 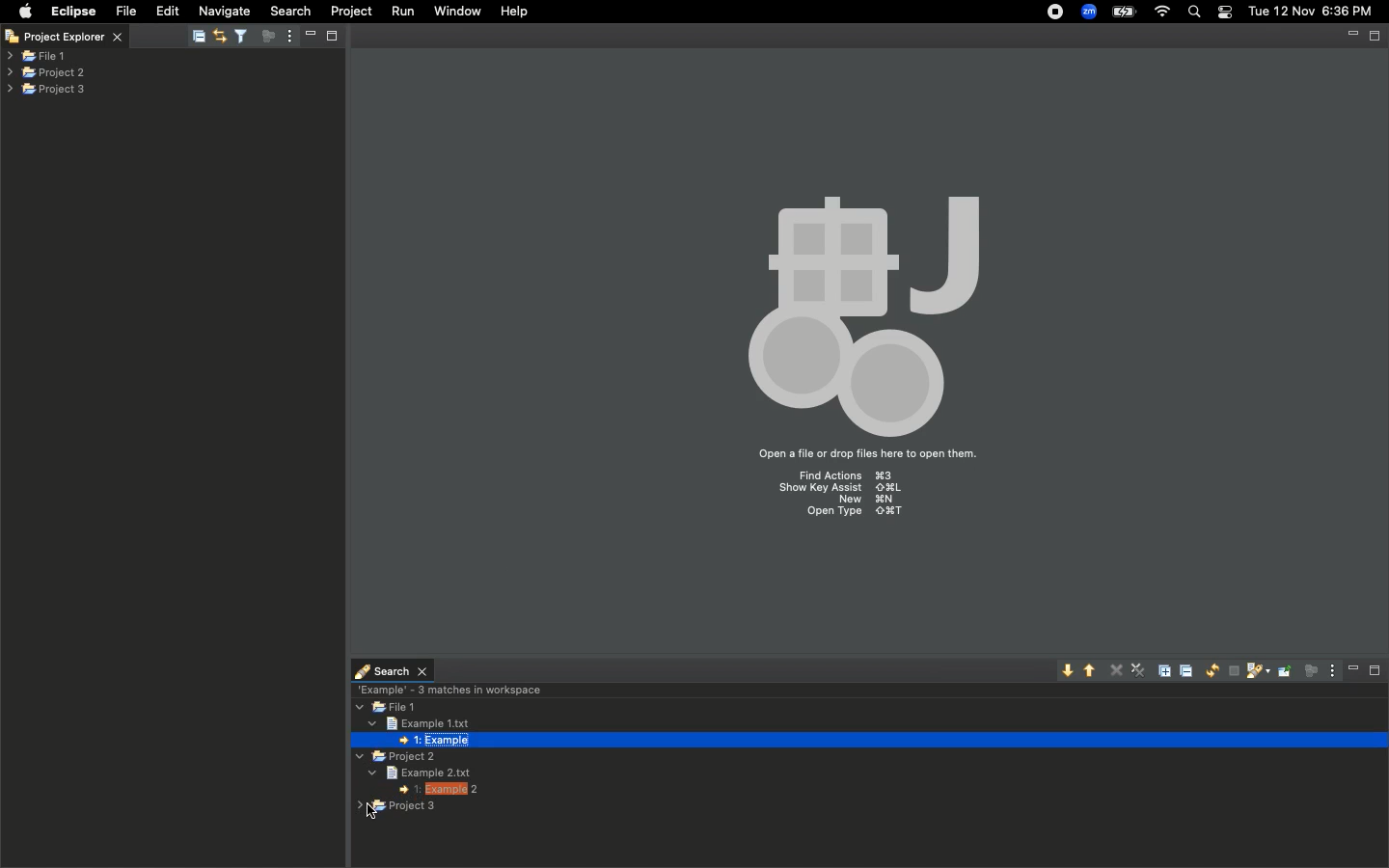 What do you see at coordinates (414, 722) in the screenshot?
I see `Text file` at bounding box center [414, 722].